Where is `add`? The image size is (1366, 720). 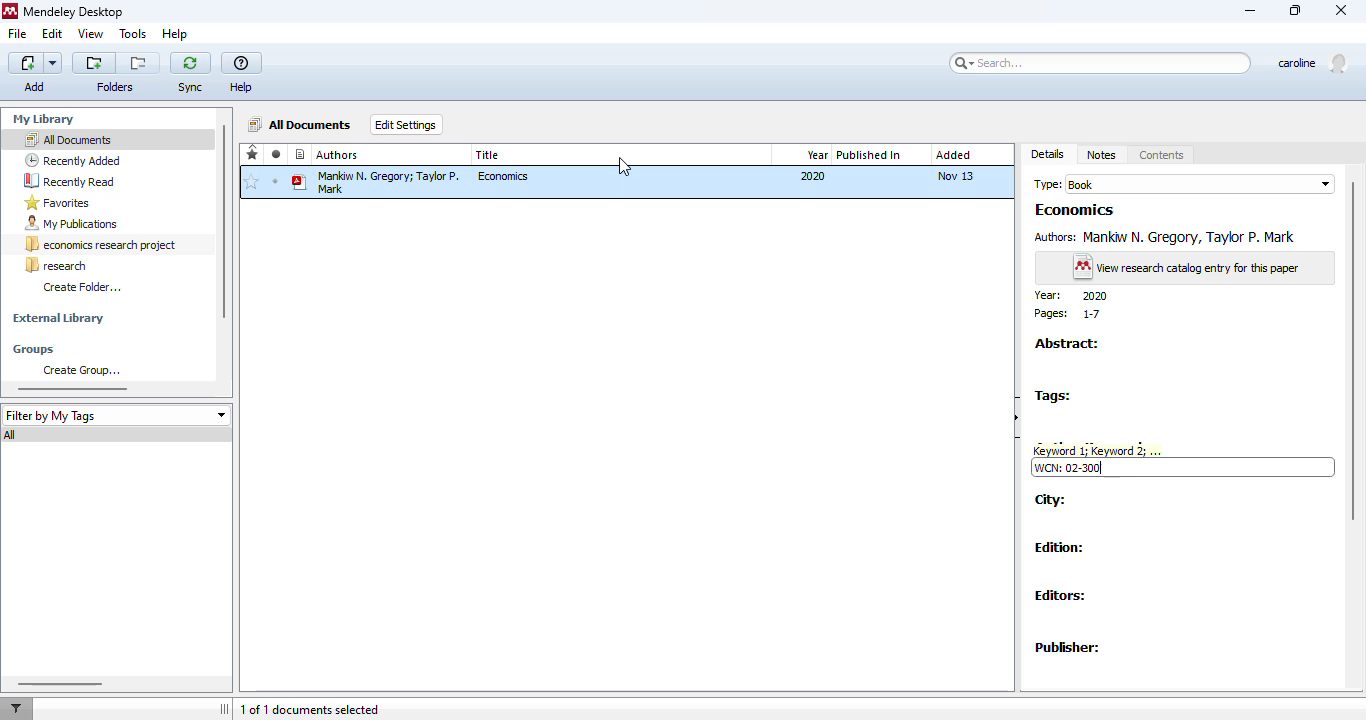
add is located at coordinates (35, 73).